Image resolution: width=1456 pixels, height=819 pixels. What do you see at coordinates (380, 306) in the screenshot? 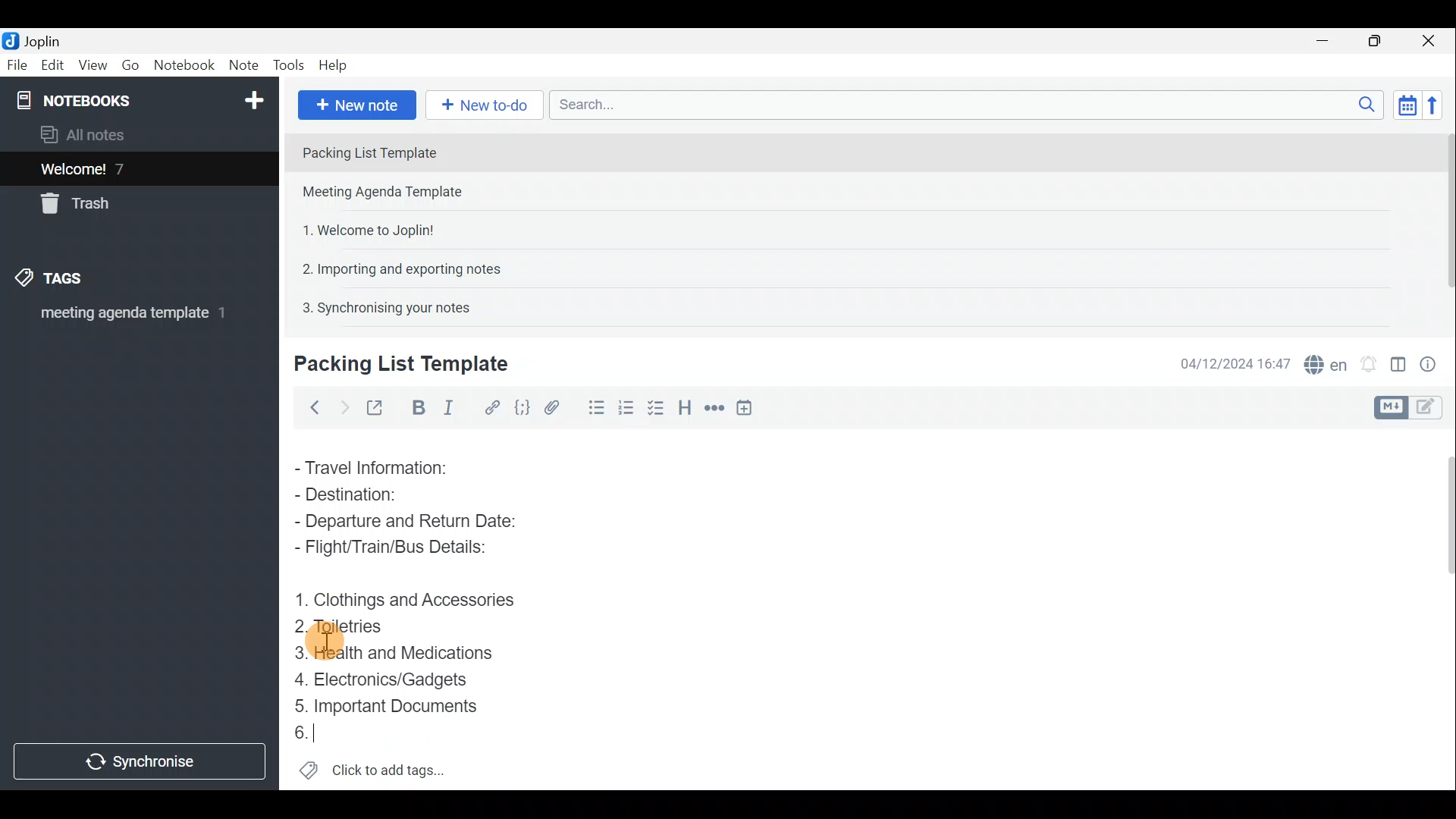
I see `Note 5` at bounding box center [380, 306].